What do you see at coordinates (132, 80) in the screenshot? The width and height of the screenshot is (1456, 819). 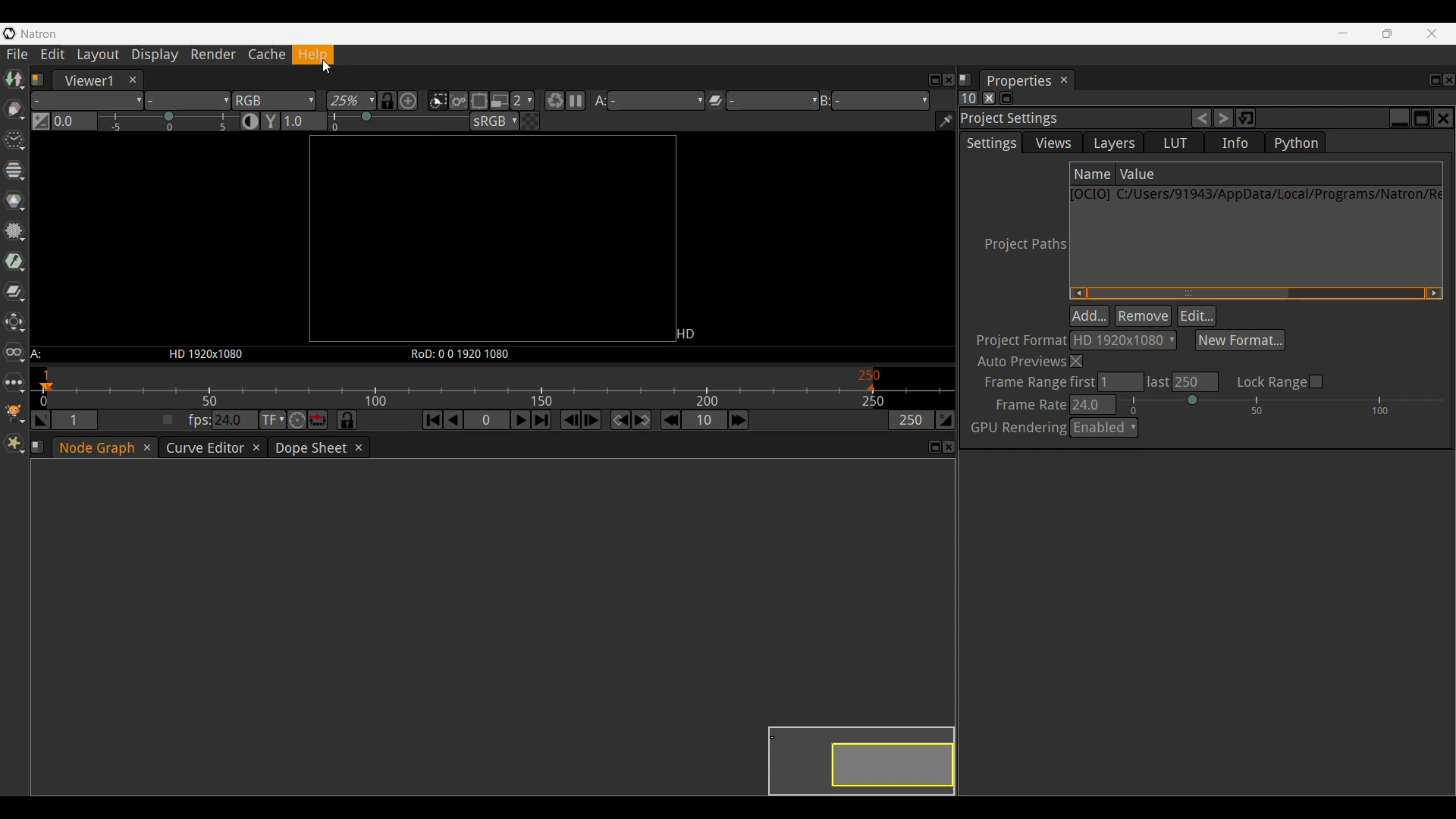 I see `Close` at bounding box center [132, 80].